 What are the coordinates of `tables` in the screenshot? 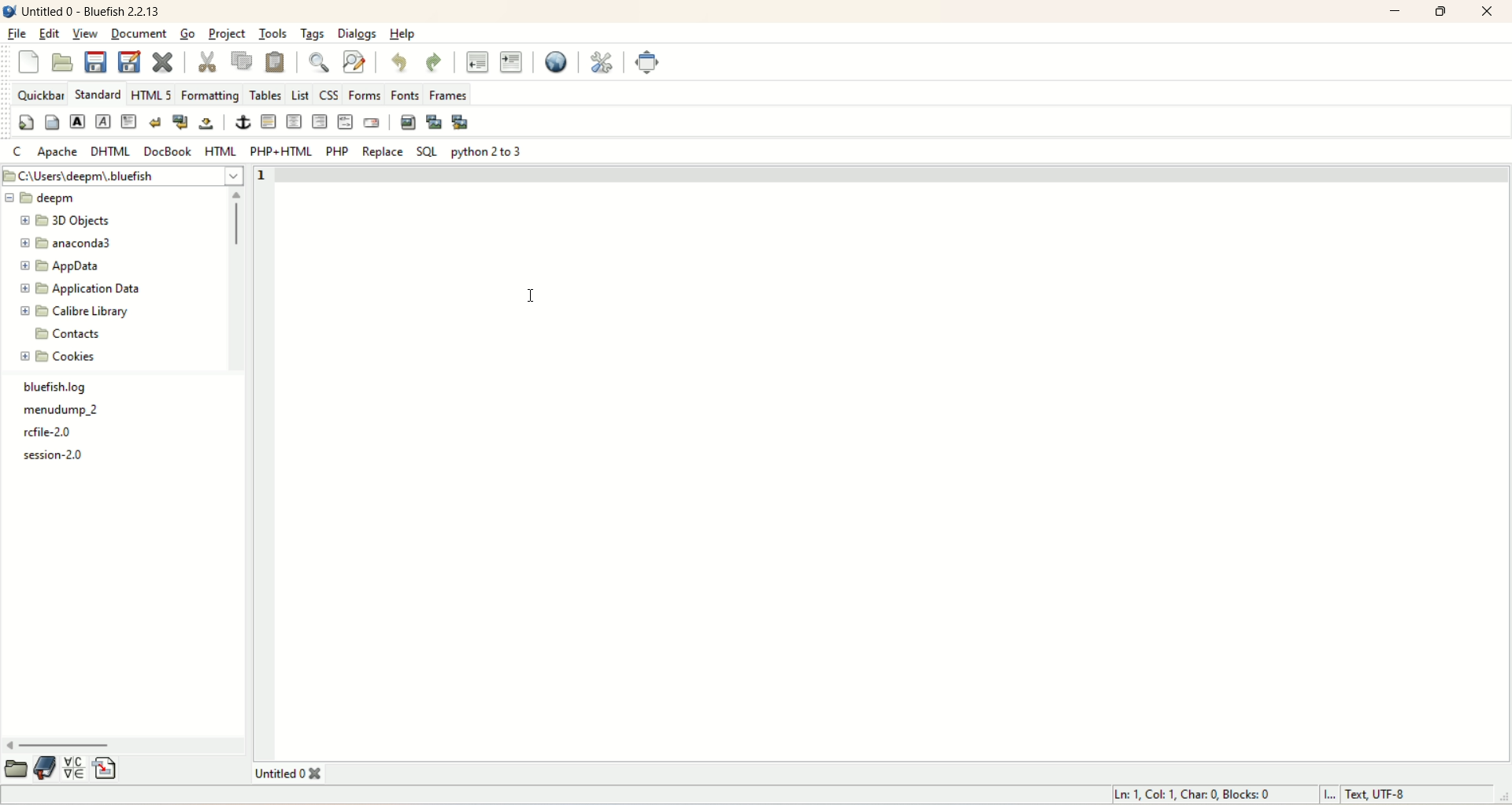 It's located at (265, 95).